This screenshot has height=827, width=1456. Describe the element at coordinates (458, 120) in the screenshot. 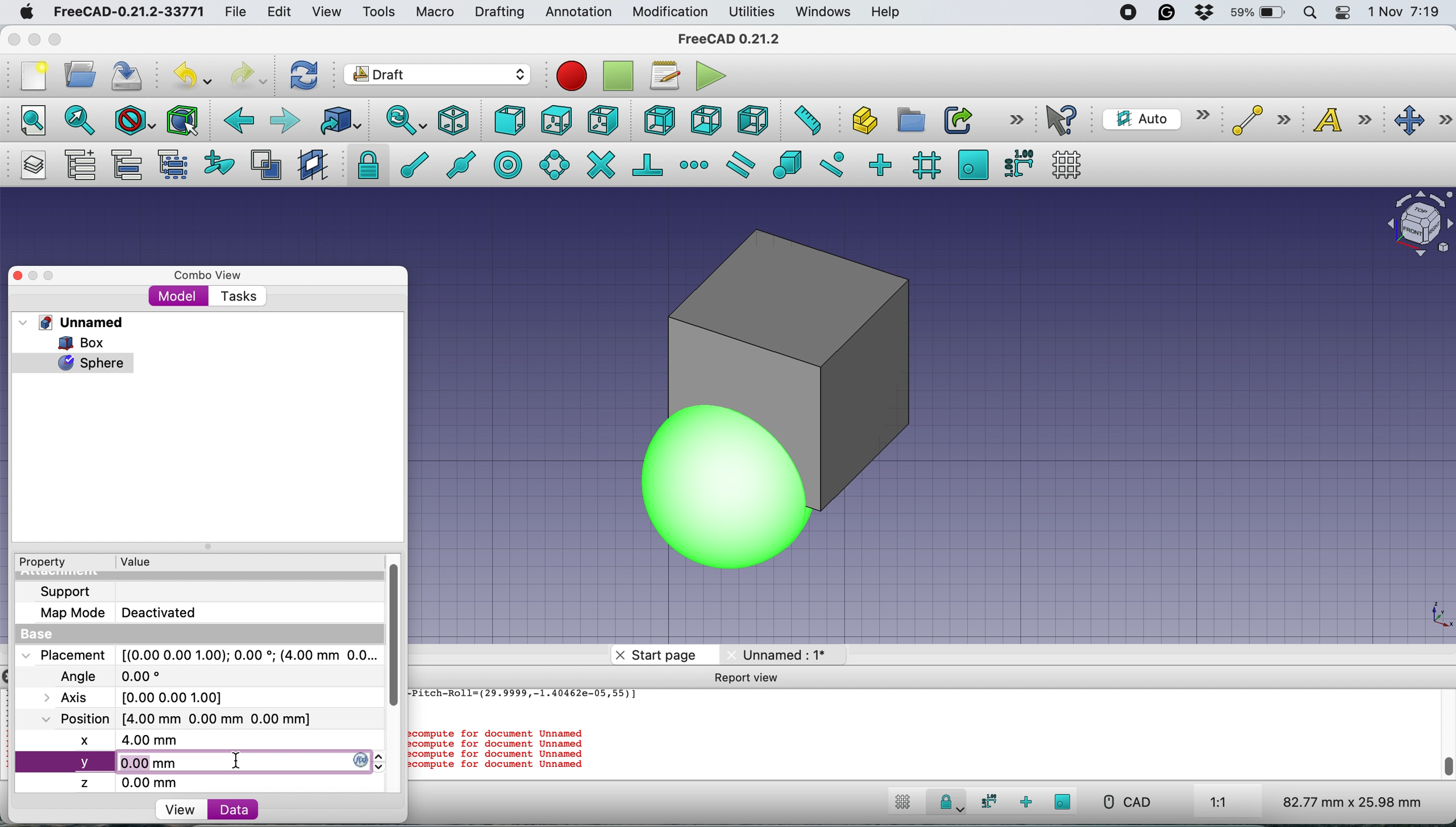

I see `isometric` at that location.